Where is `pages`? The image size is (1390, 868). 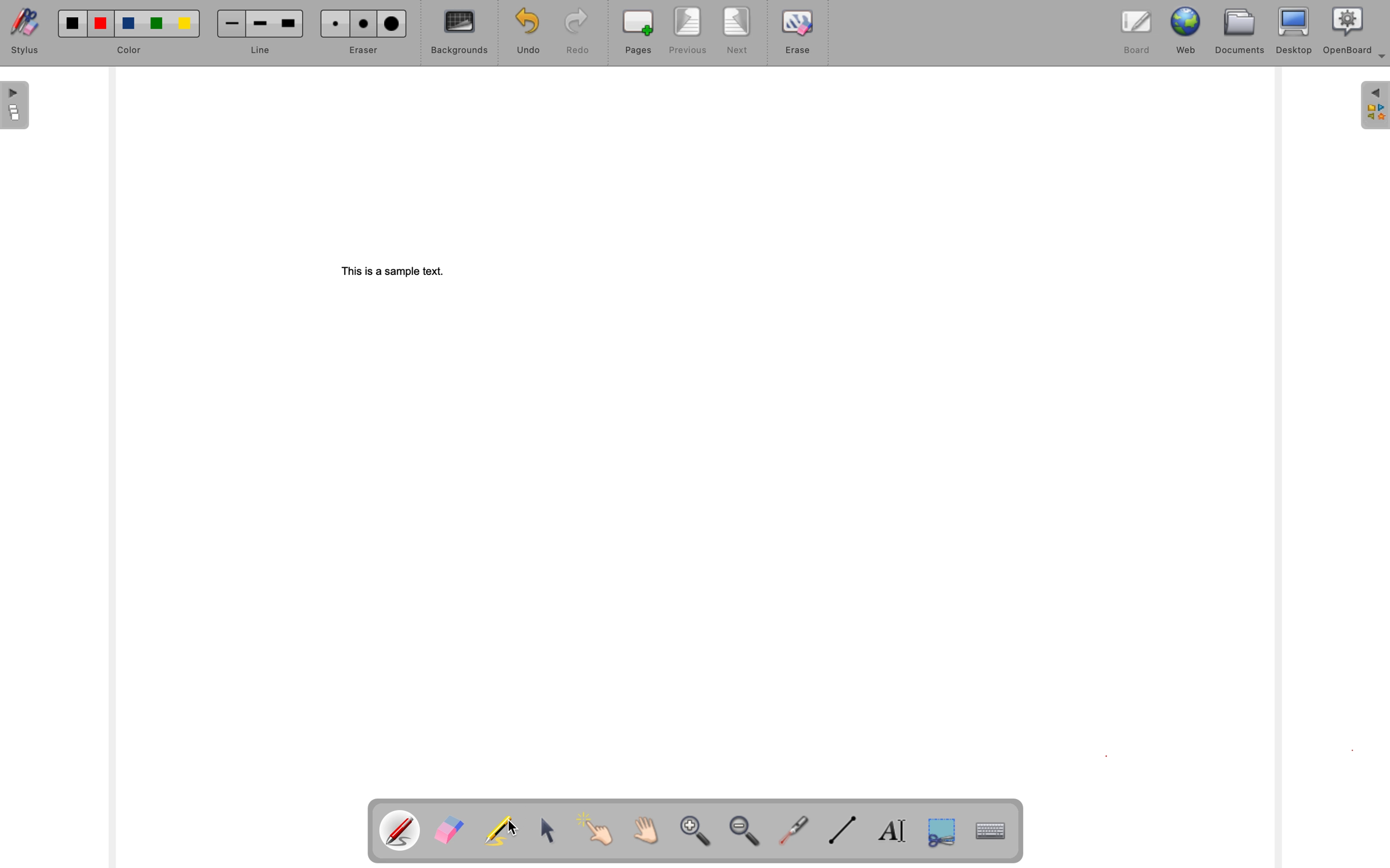
pages is located at coordinates (635, 32).